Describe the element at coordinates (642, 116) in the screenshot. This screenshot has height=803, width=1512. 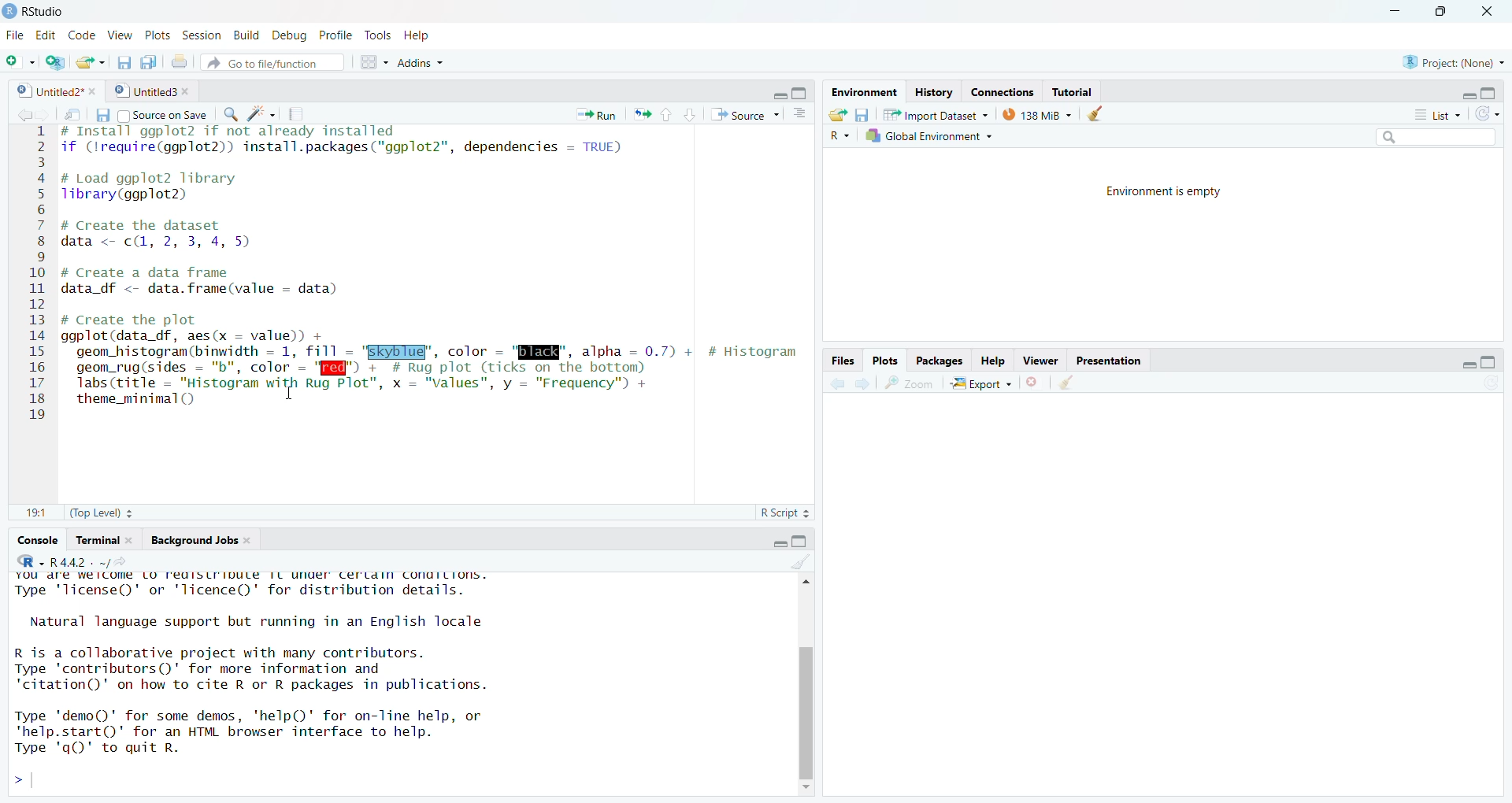
I see `rerun` at that location.